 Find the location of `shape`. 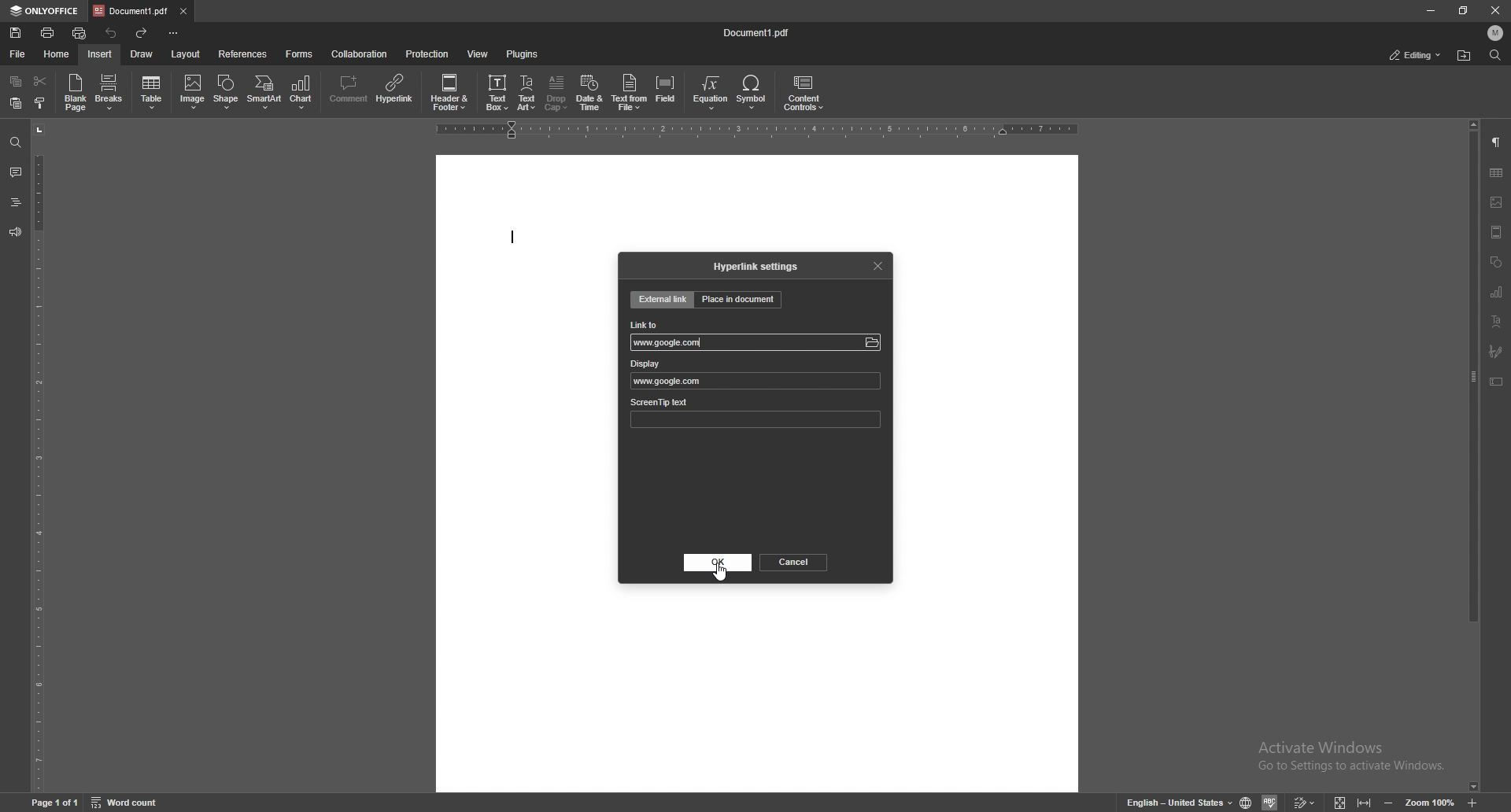

shape is located at coordinates (228, 90).